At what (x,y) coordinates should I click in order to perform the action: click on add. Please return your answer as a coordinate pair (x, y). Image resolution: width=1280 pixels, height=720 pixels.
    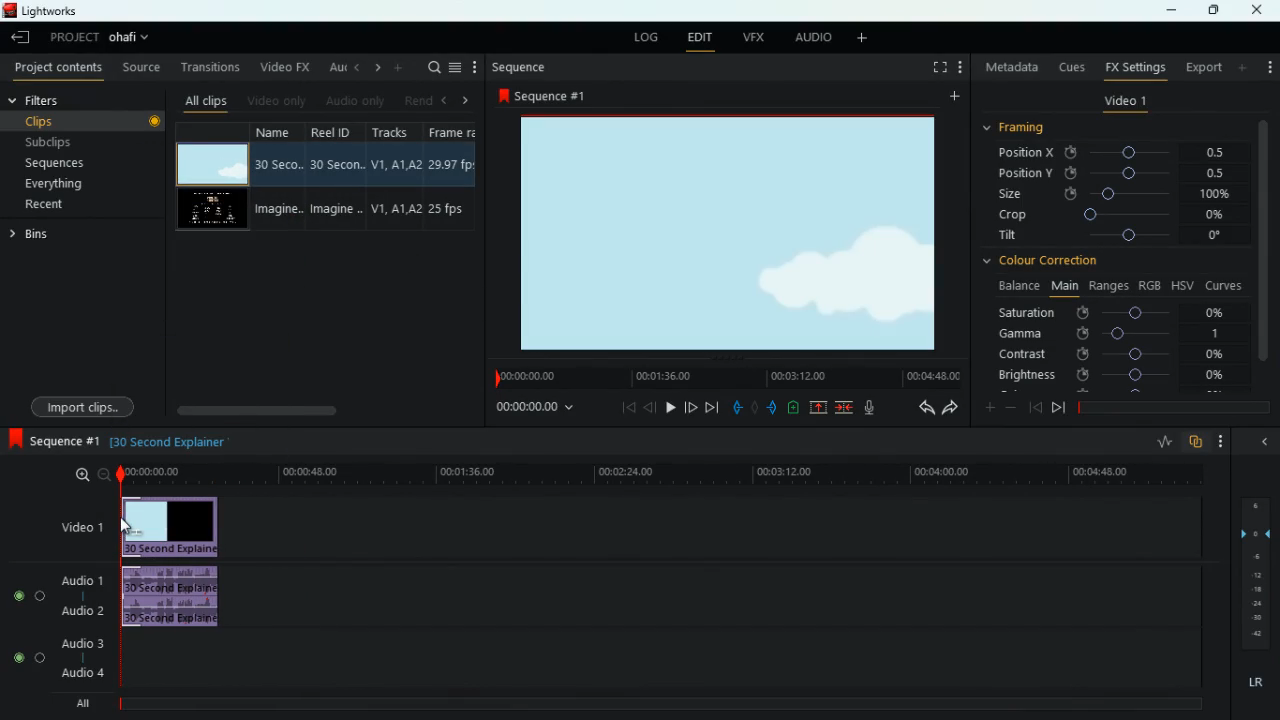
    Looking at the image, I should click on (859, 39).